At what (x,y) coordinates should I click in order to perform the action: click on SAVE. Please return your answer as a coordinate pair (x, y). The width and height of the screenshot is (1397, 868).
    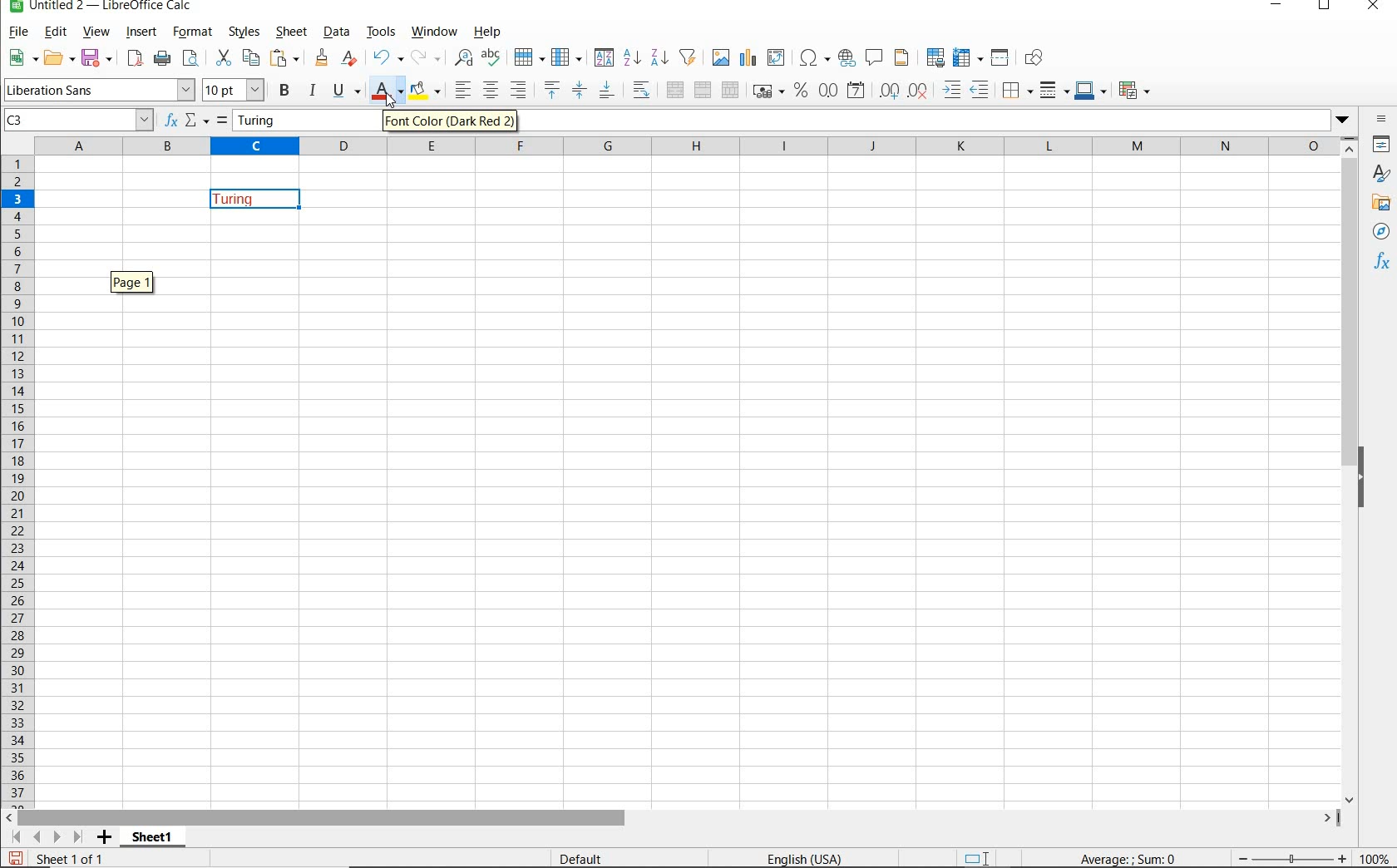
    Looking at the image, I should click on (96, 57).